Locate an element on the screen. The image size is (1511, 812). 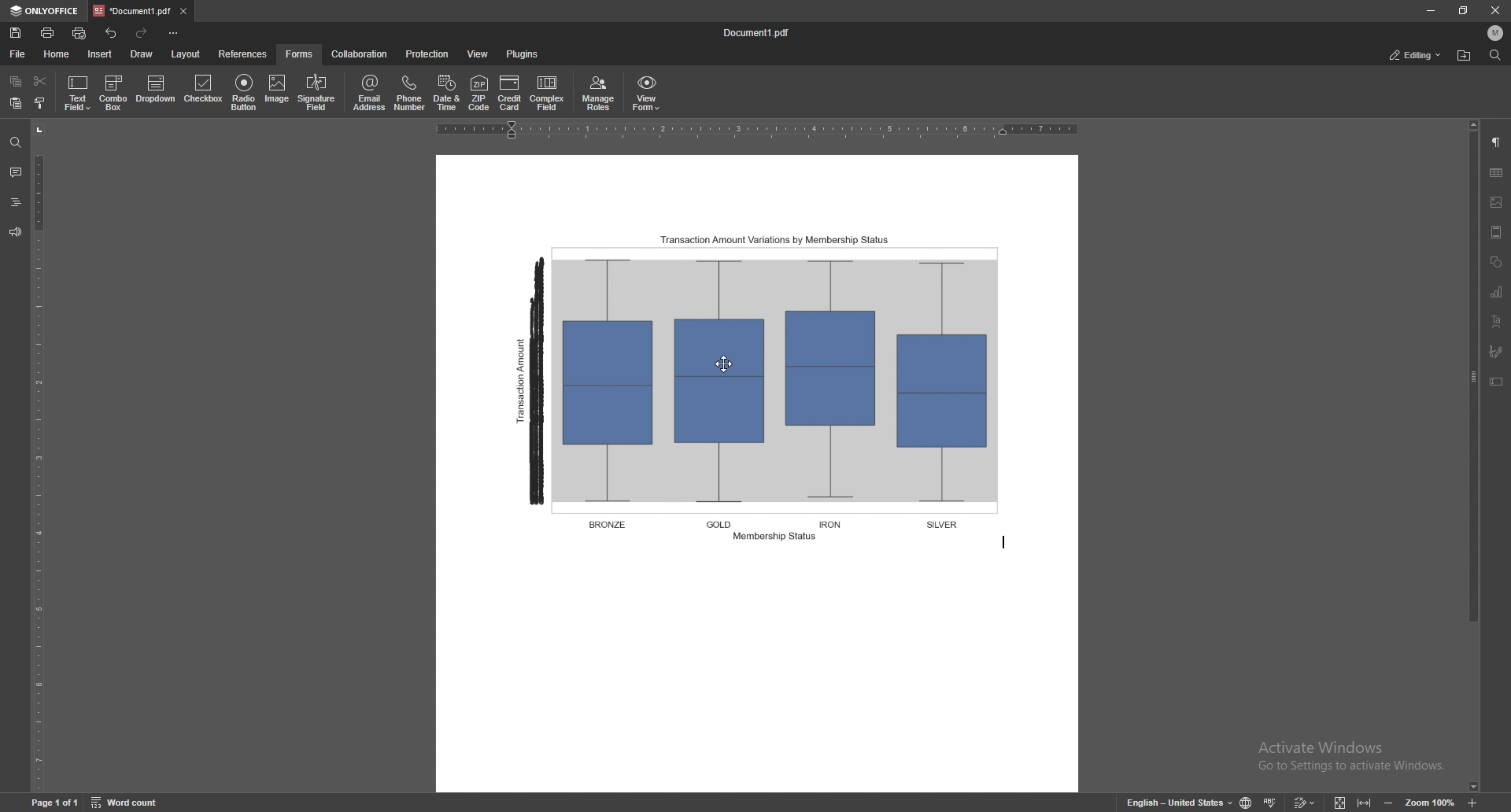
page is located at coordinates (54, 801).